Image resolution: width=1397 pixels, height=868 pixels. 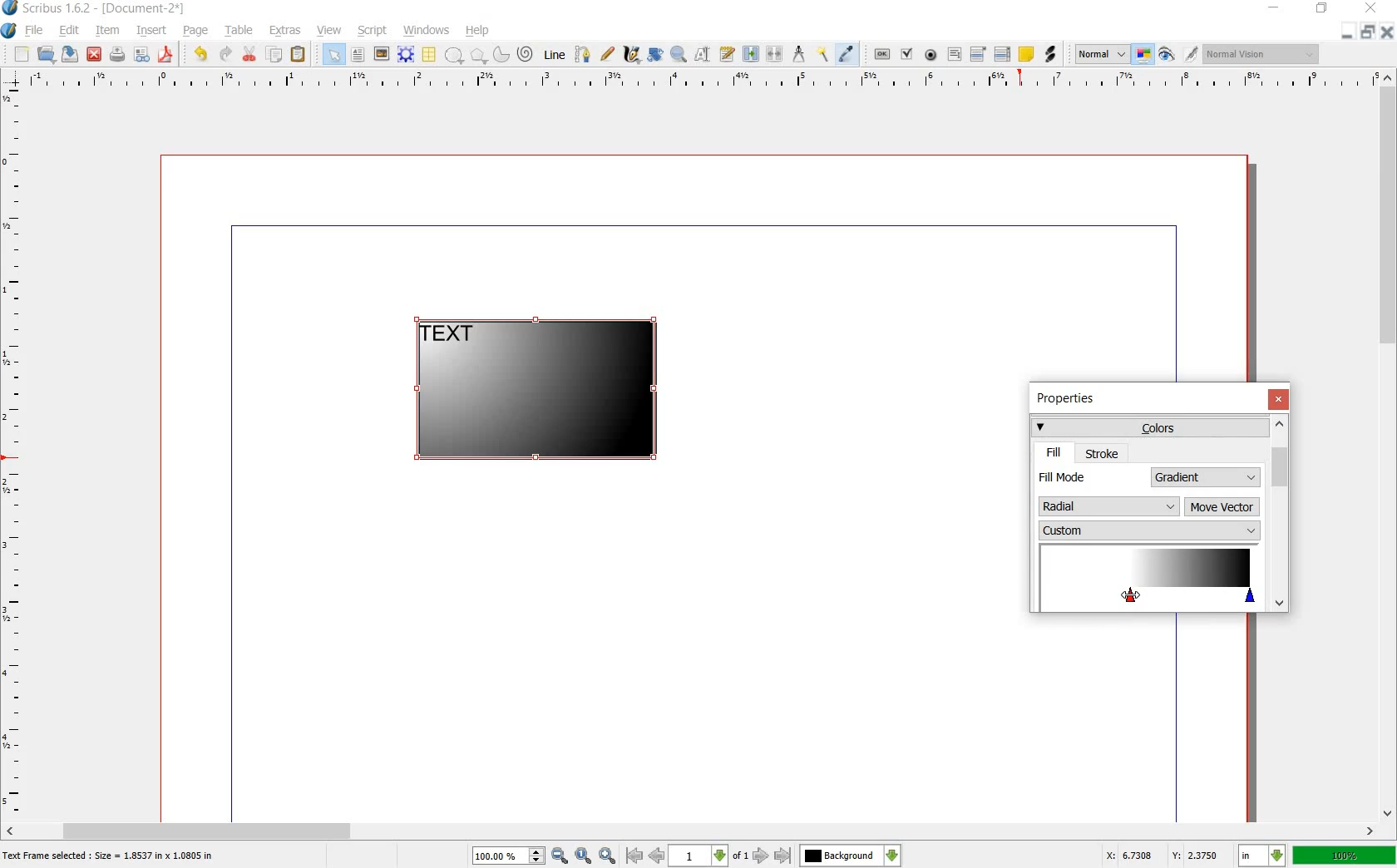 I want to click on pdf push button, so click(x=882, y=52).